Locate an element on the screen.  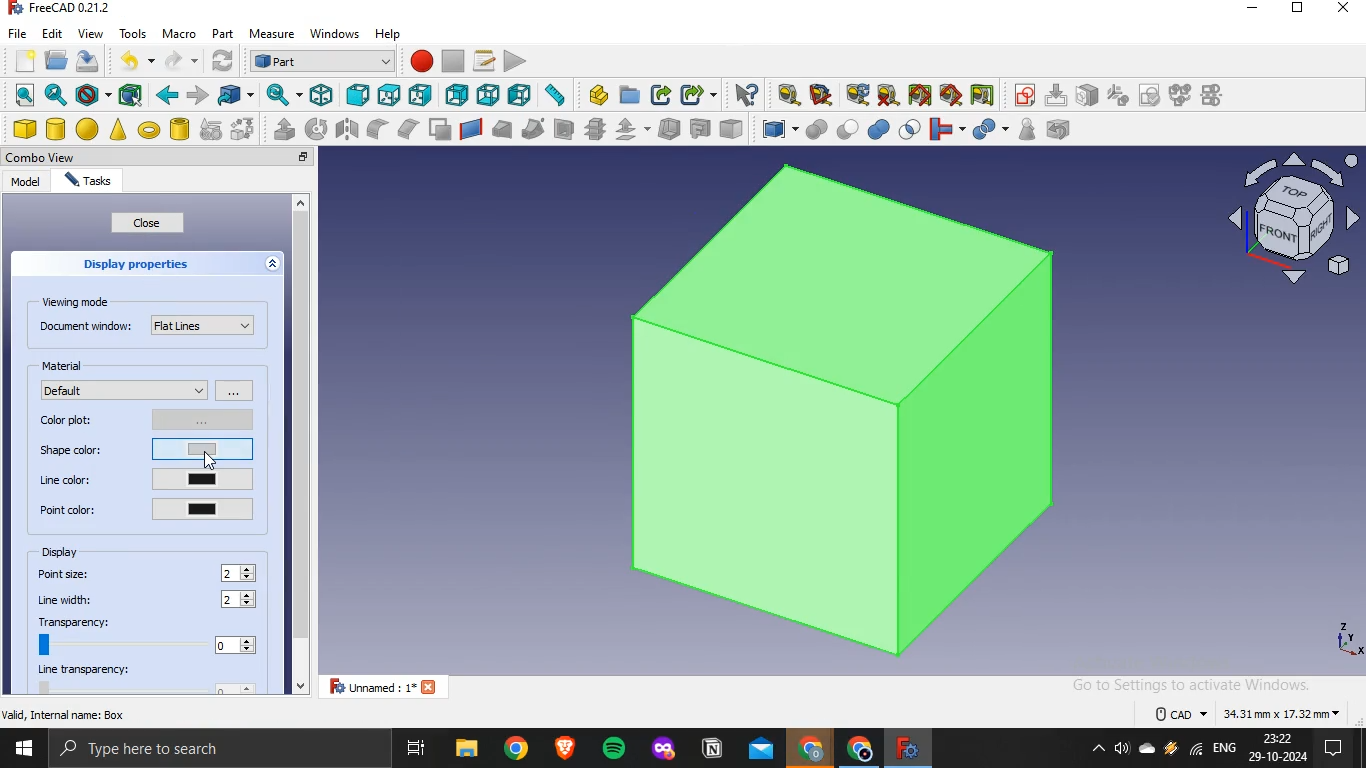
icon is located at coordinates (1118, 94).